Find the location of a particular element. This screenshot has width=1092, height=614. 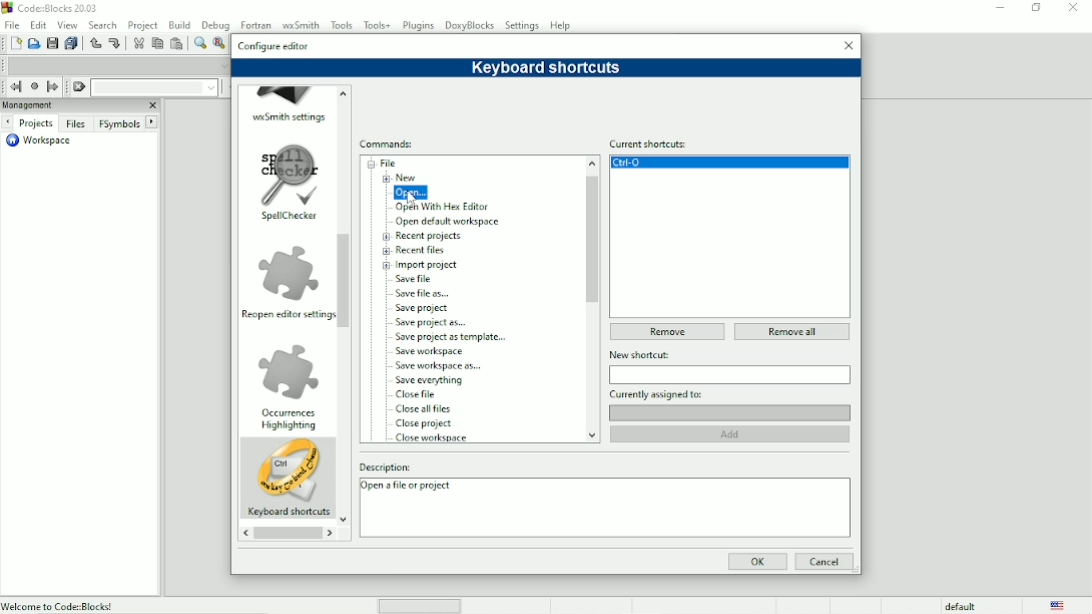

View is located at coordinates (69, 24).